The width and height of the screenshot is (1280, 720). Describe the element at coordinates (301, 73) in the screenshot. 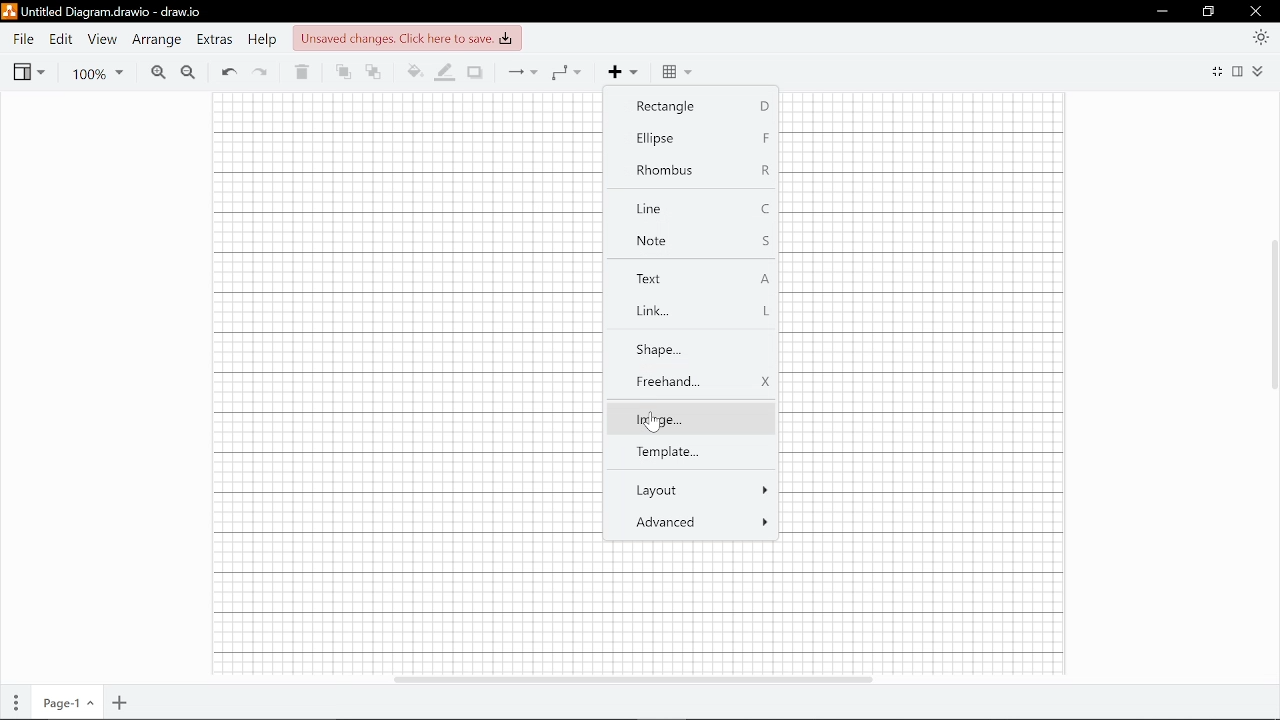

I see `Delete` at that location.